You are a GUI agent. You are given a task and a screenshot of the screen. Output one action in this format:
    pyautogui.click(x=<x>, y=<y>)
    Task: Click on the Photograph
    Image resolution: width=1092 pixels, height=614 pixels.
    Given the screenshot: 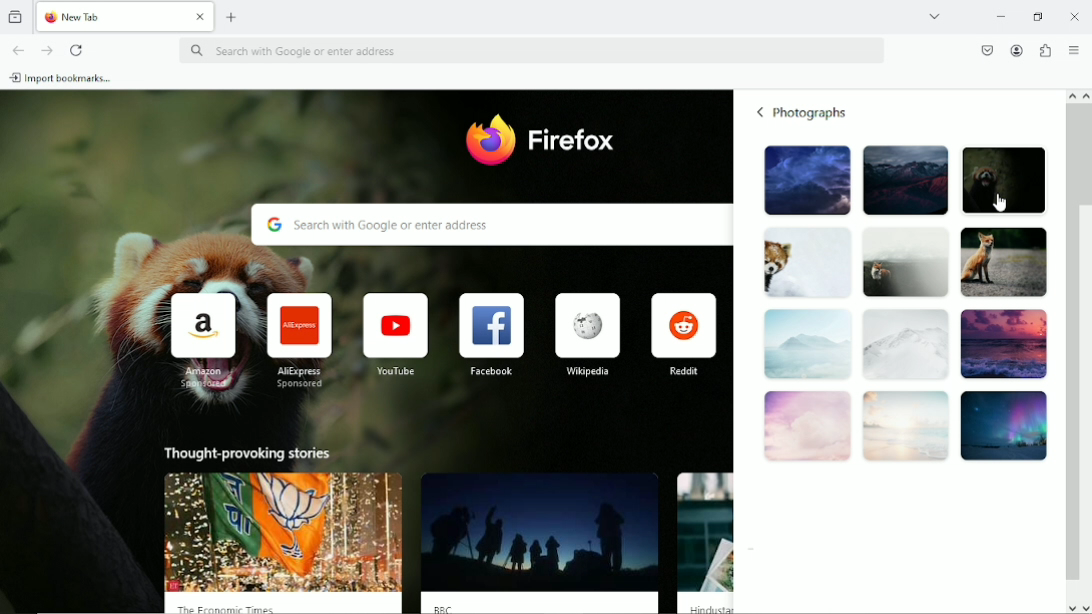 What is the action you would take?
    pyautogui.click(x=1005, y=425)
    